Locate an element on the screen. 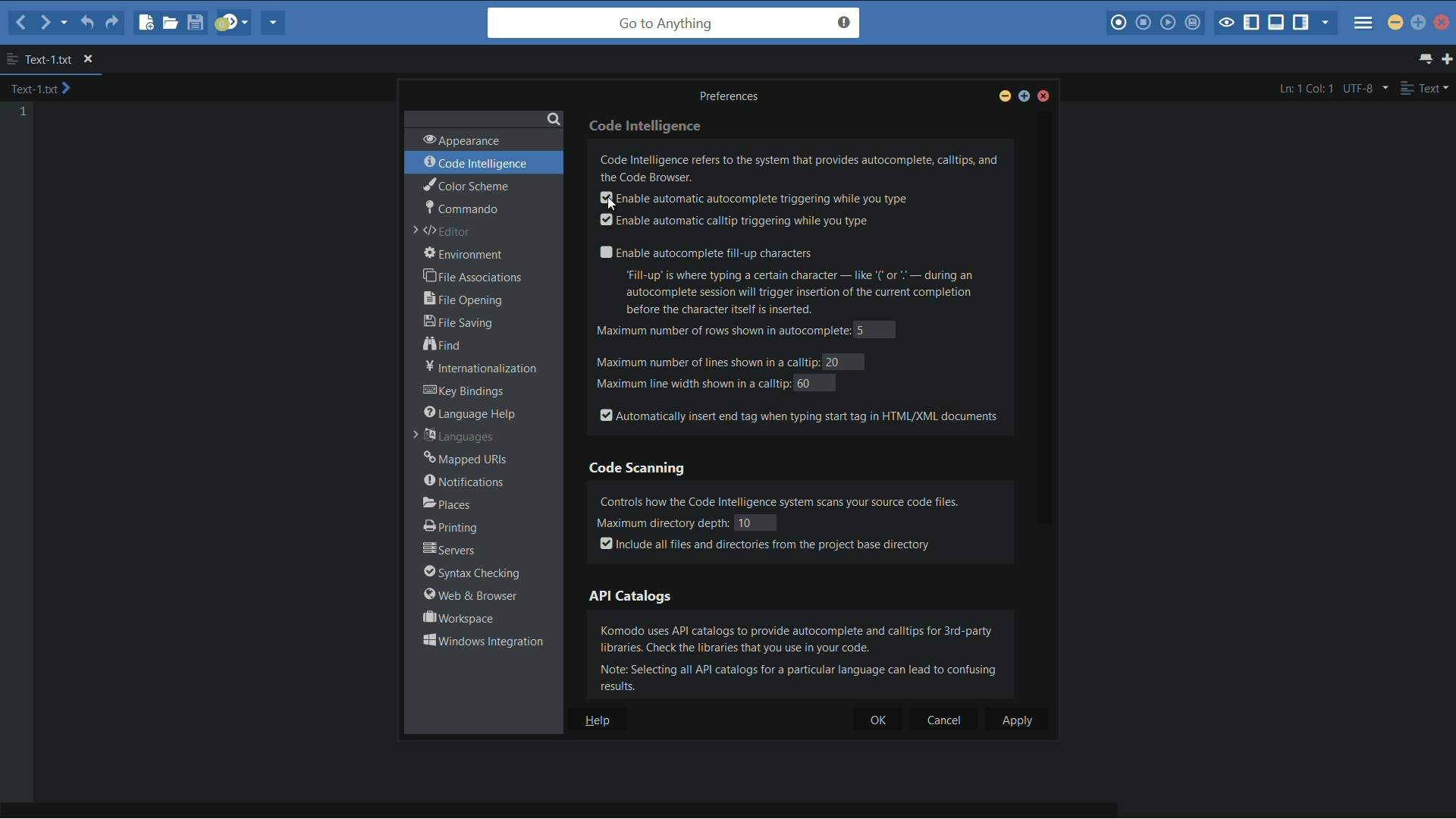 This screenshot has height=819, width=1456. 10 is located at coordinates (755, 522).